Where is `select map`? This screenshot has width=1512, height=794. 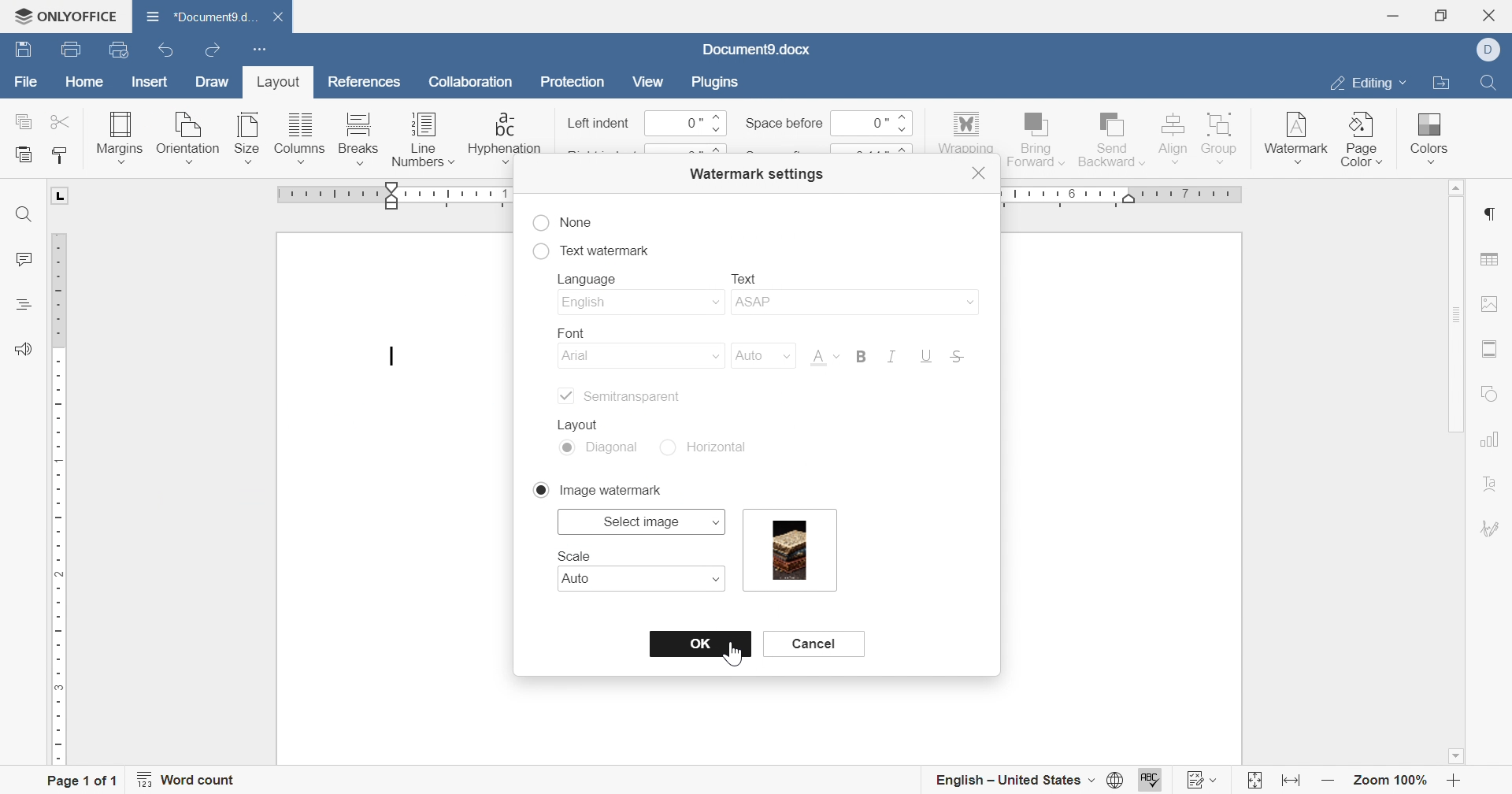
select map is located at coordinates (643, 521).